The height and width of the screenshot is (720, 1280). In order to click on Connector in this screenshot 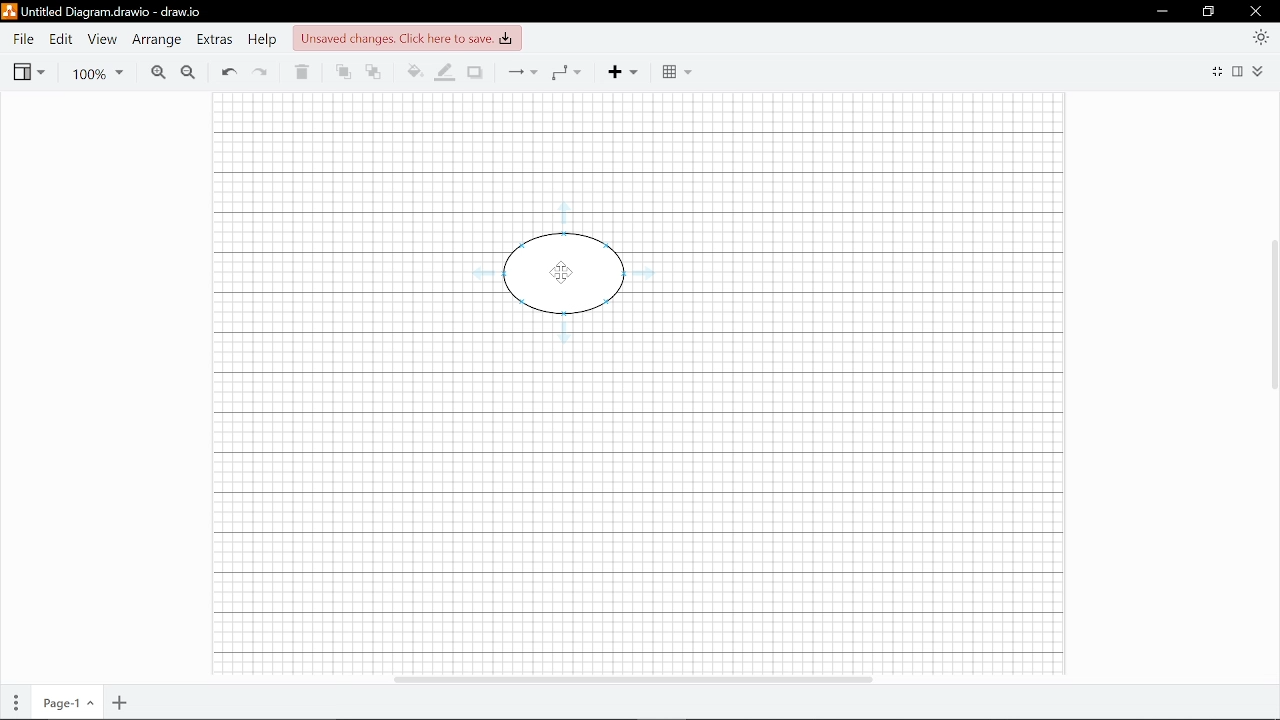, I will do `click(523, 72)`.